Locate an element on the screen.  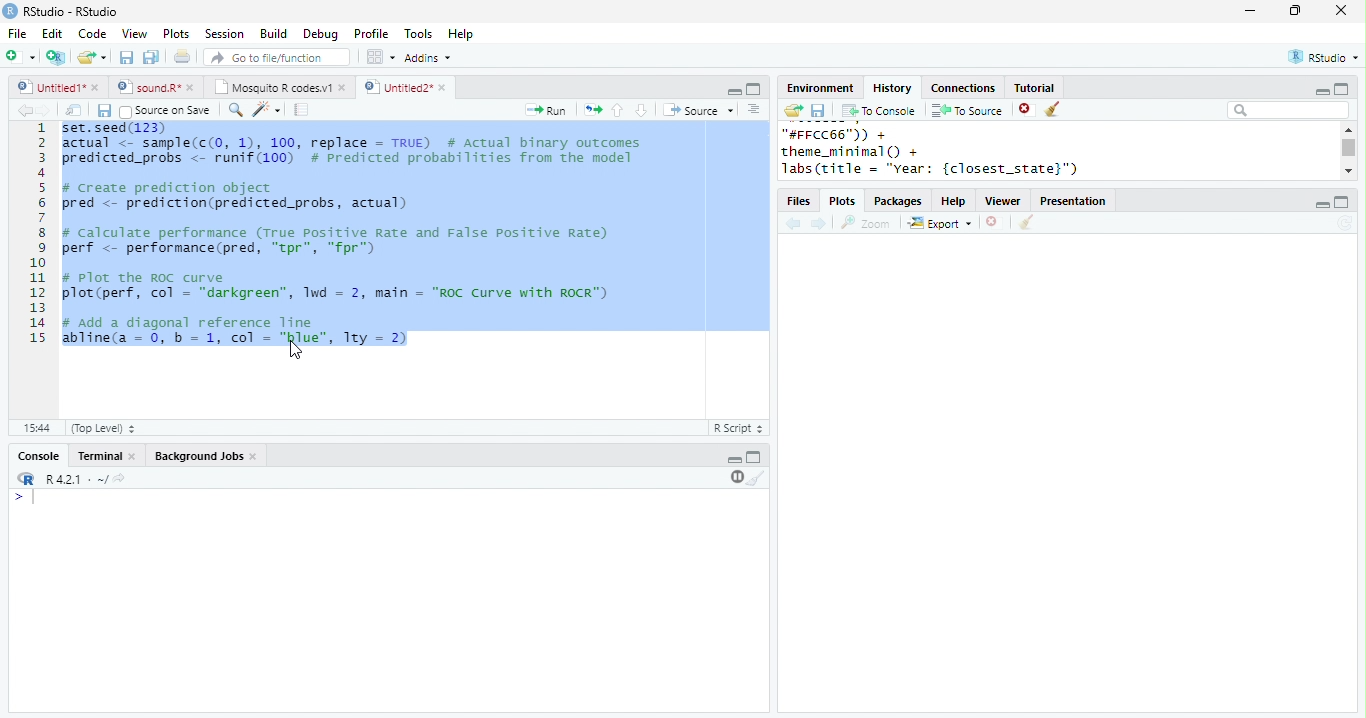
back is located at coordinates (793, 225).